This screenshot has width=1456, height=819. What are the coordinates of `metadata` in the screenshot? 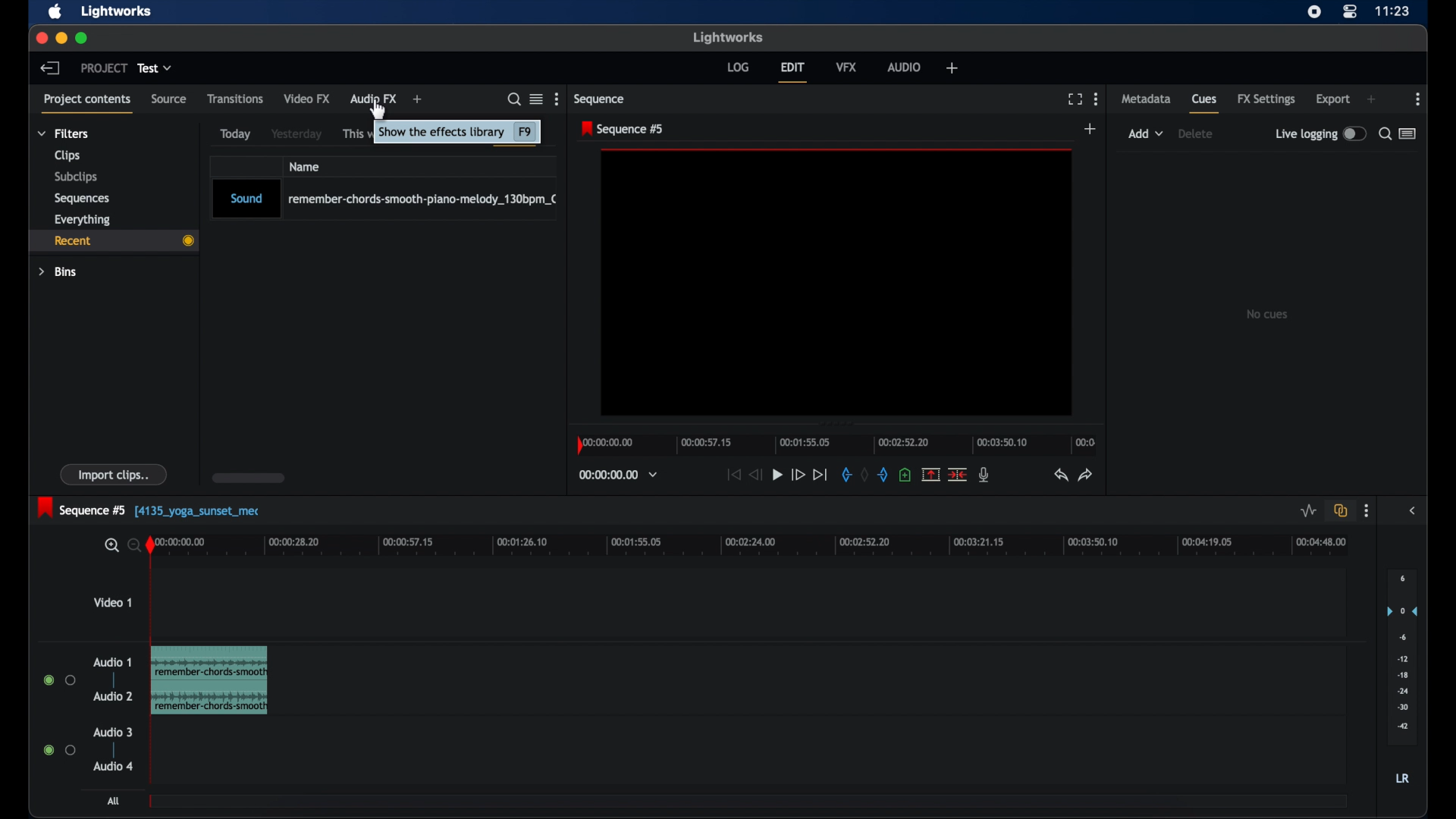 It's located at (1147, 98).